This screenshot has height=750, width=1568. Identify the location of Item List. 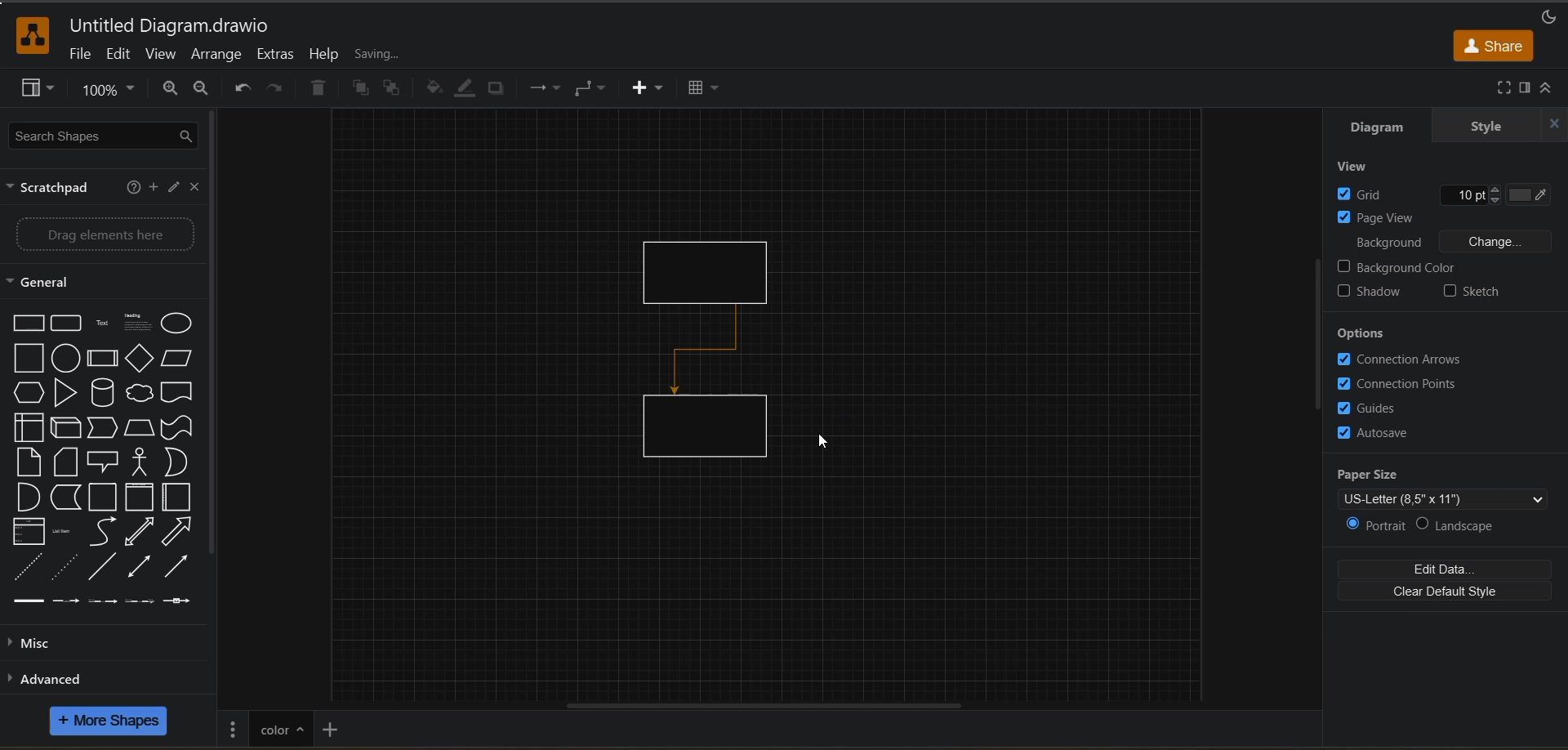
(69, 532).